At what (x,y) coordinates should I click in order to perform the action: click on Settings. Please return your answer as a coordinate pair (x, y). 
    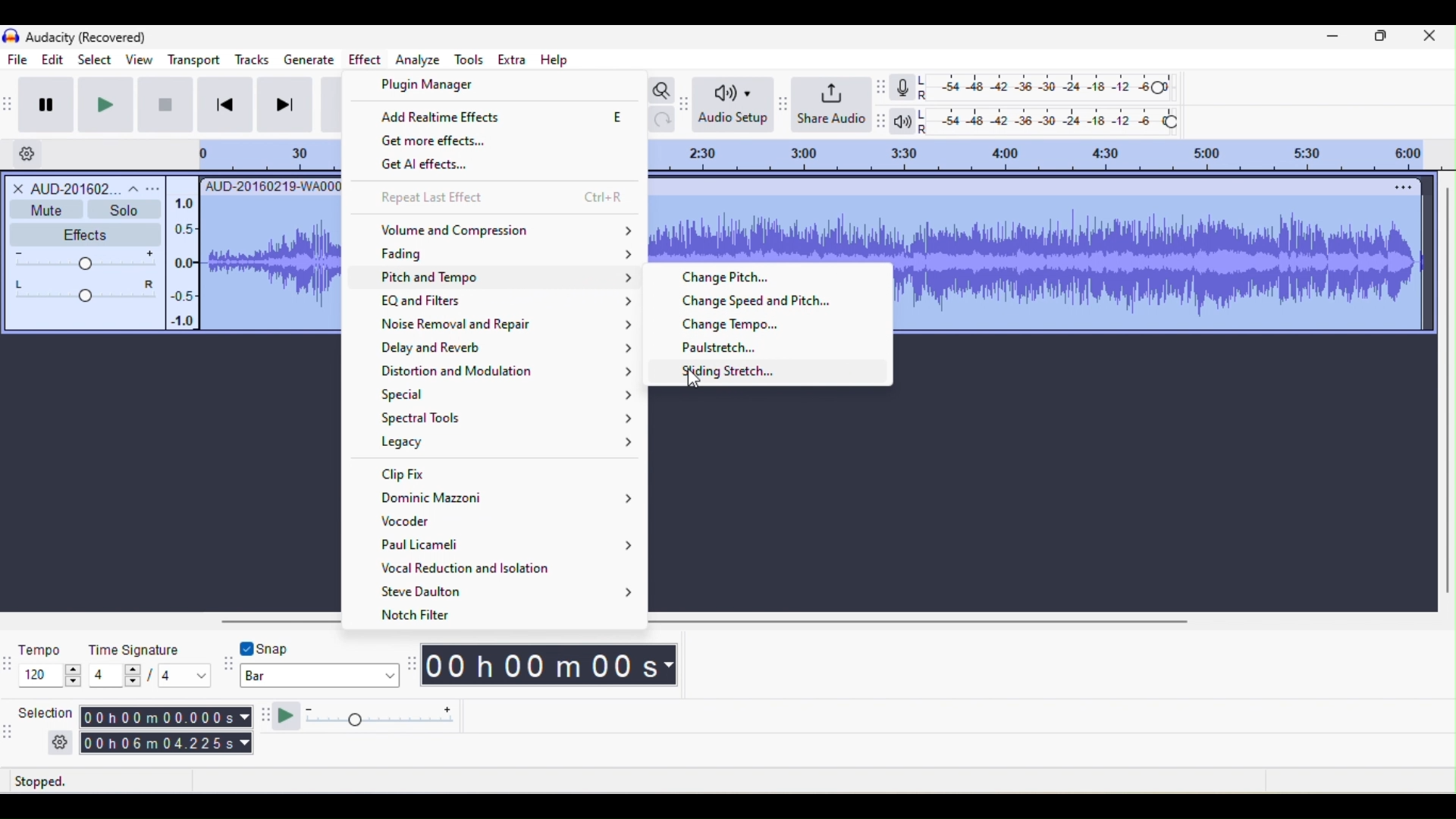
    Looking at the image, I should click on (27, 152).